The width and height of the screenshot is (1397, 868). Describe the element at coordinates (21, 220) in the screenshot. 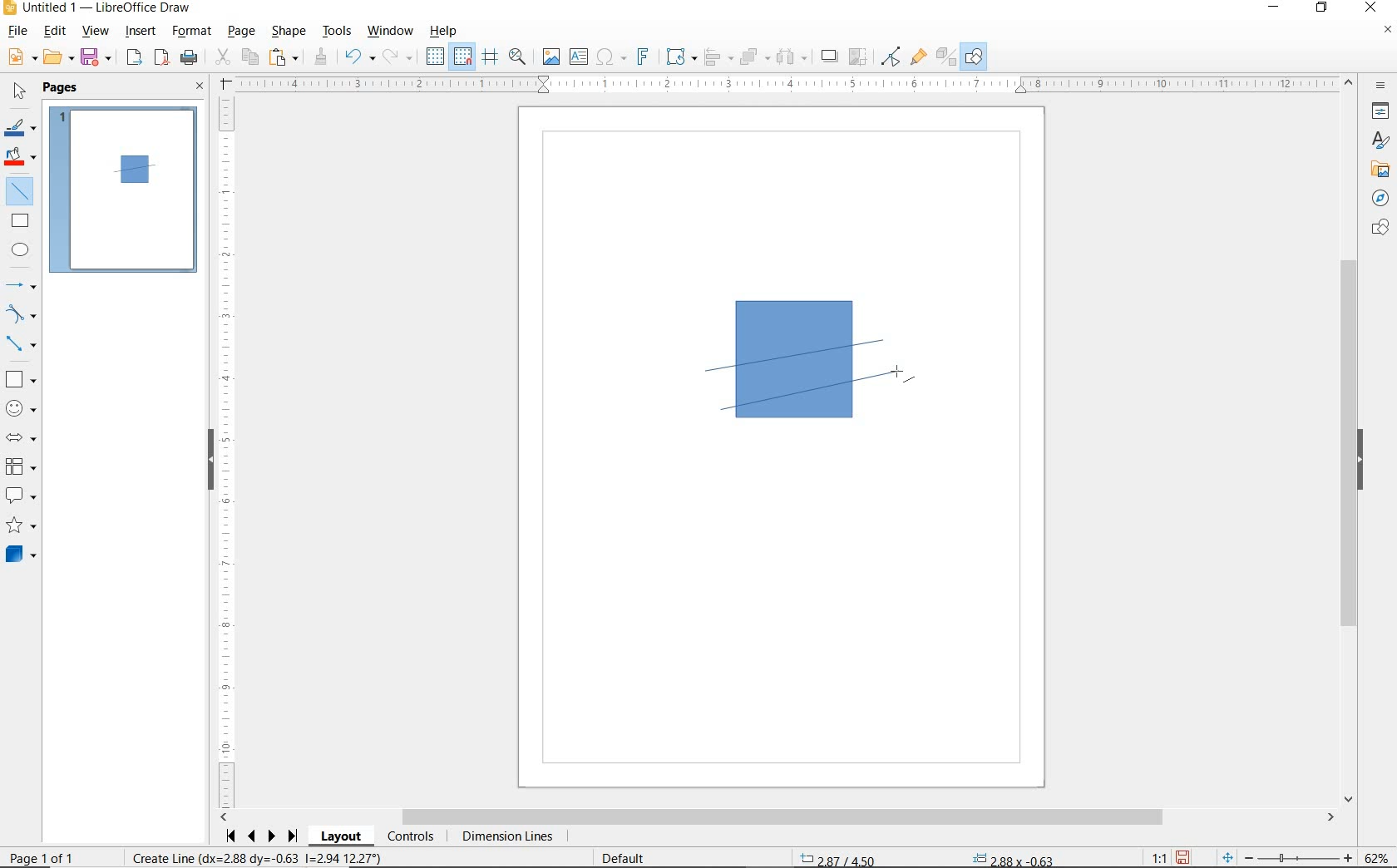

I see `RECTANGLE` at that location.